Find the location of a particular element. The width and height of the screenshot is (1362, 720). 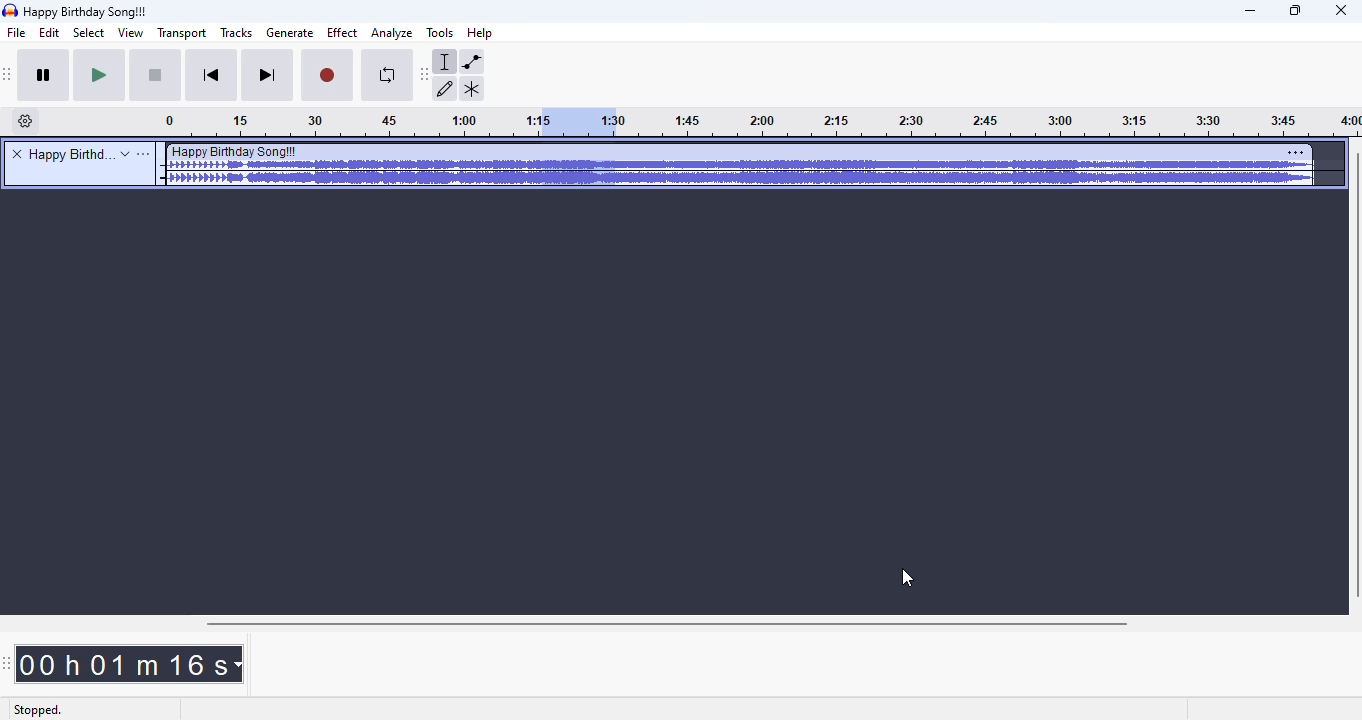

horizontal scroll bar is located at coordinates (669, 624).